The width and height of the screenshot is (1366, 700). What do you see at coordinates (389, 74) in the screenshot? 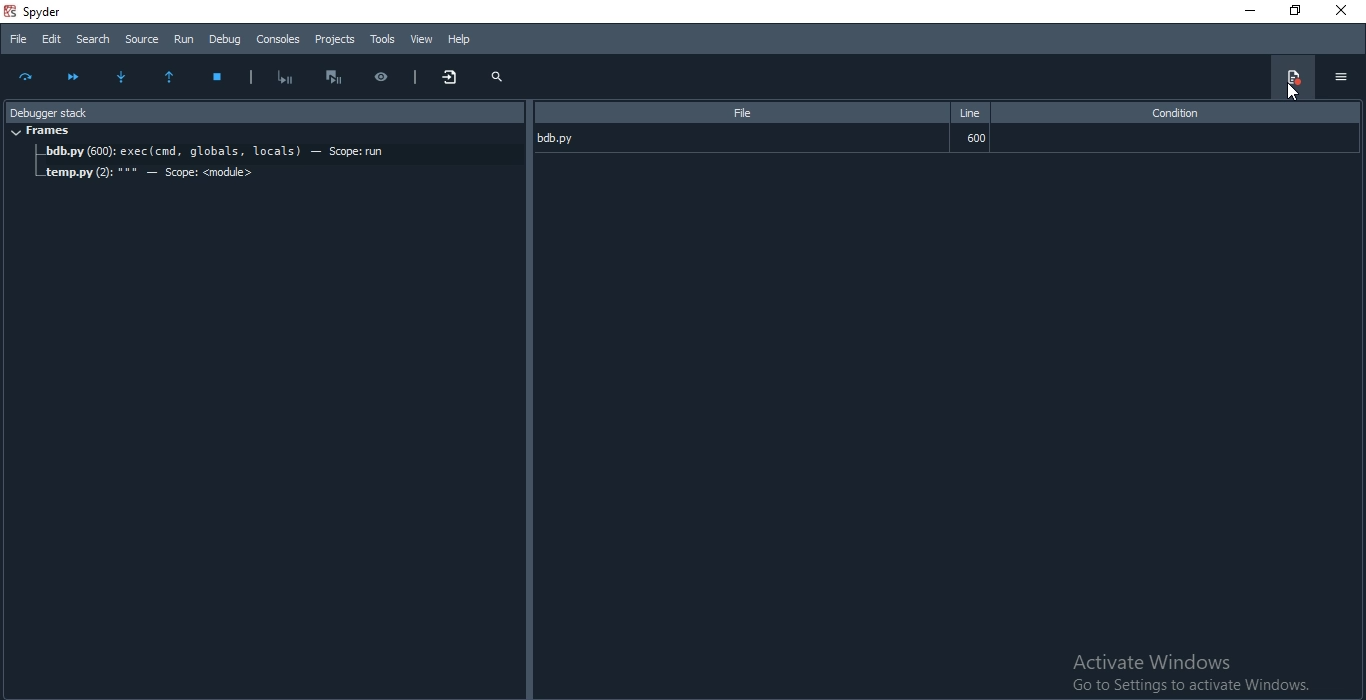
I see `Inspect execution` at bounding box center [389, 74].